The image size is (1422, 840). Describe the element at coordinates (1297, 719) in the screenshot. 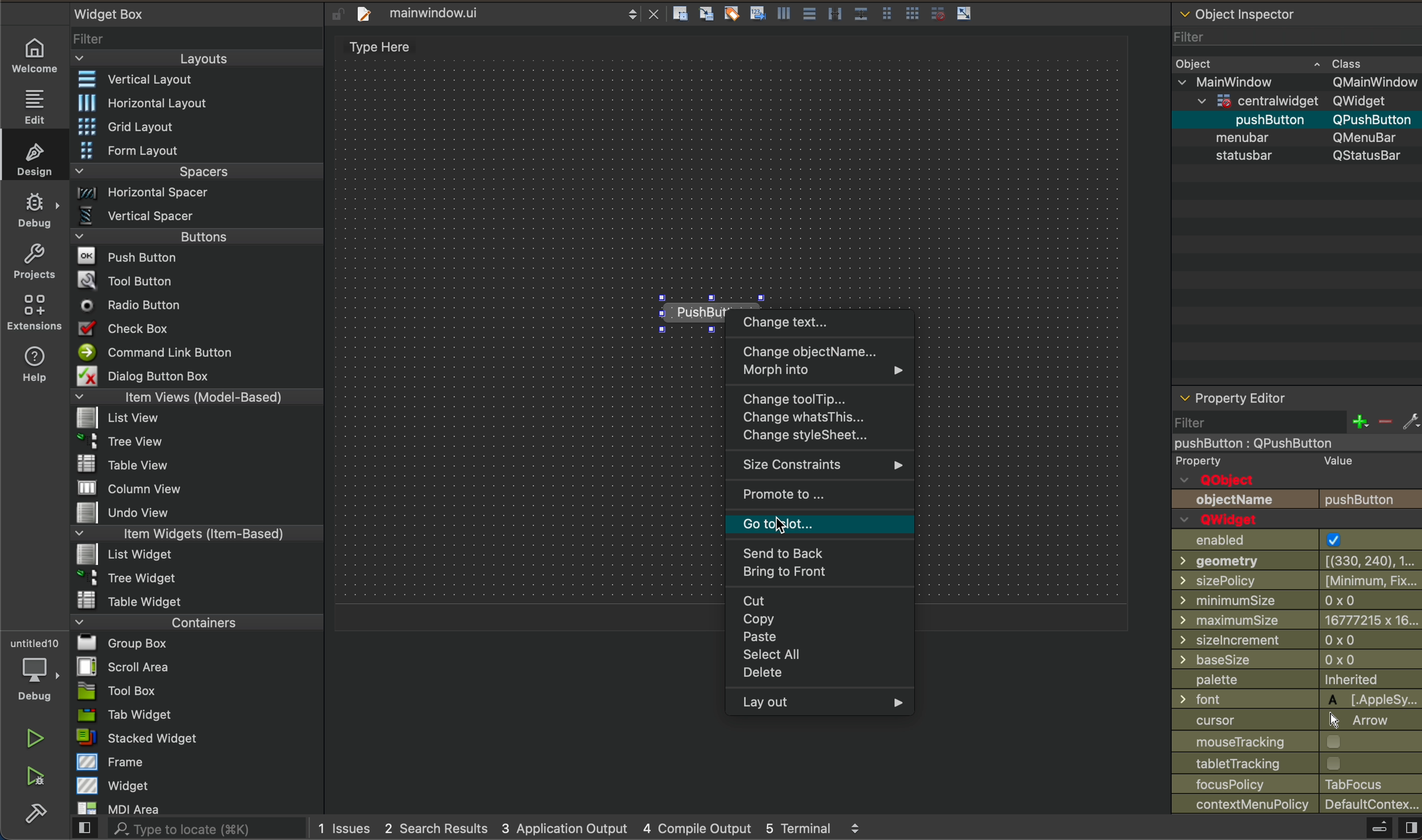

I see `cursor` at that location.